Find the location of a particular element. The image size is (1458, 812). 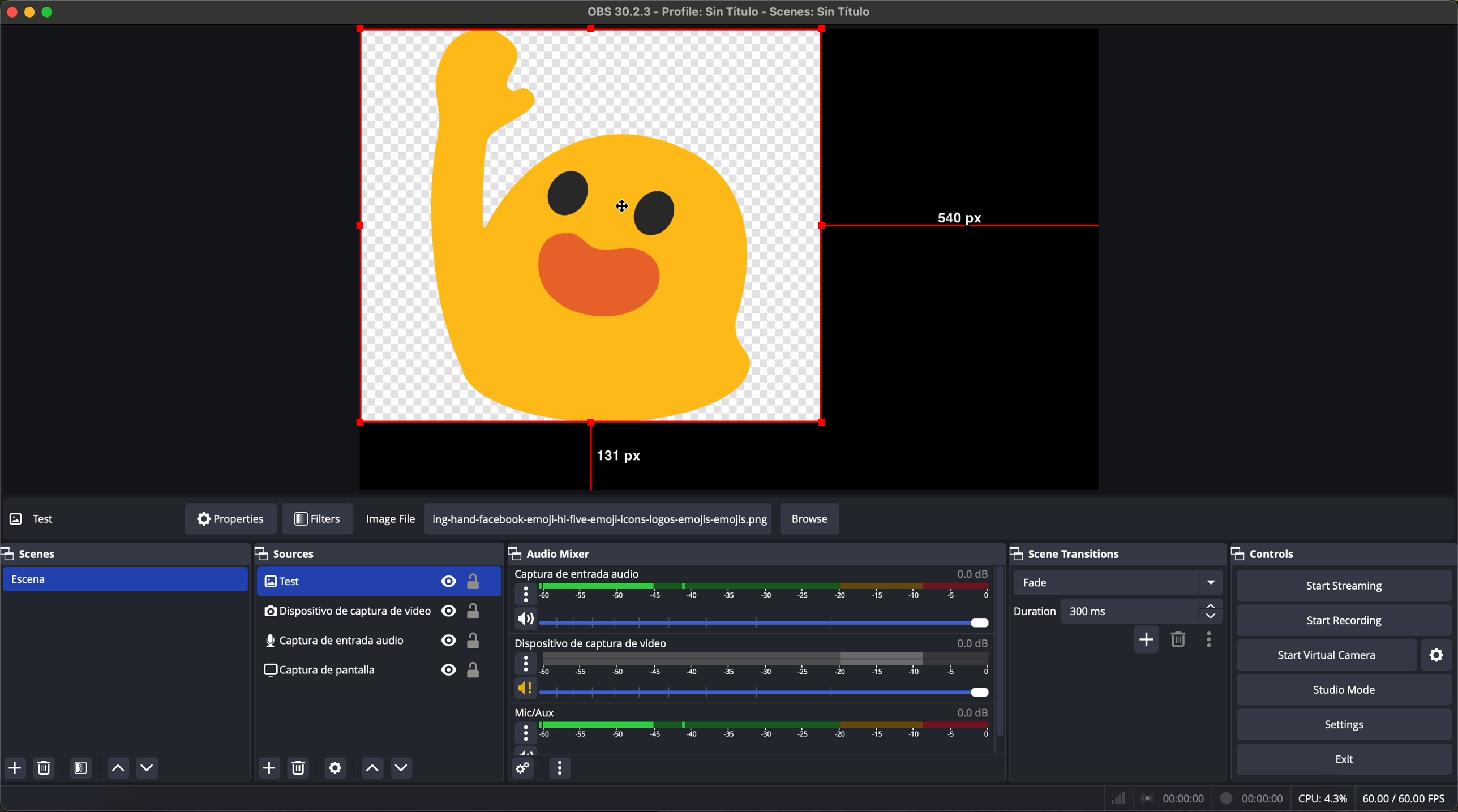

start virtual camera is located at coordinates (1327, 655).